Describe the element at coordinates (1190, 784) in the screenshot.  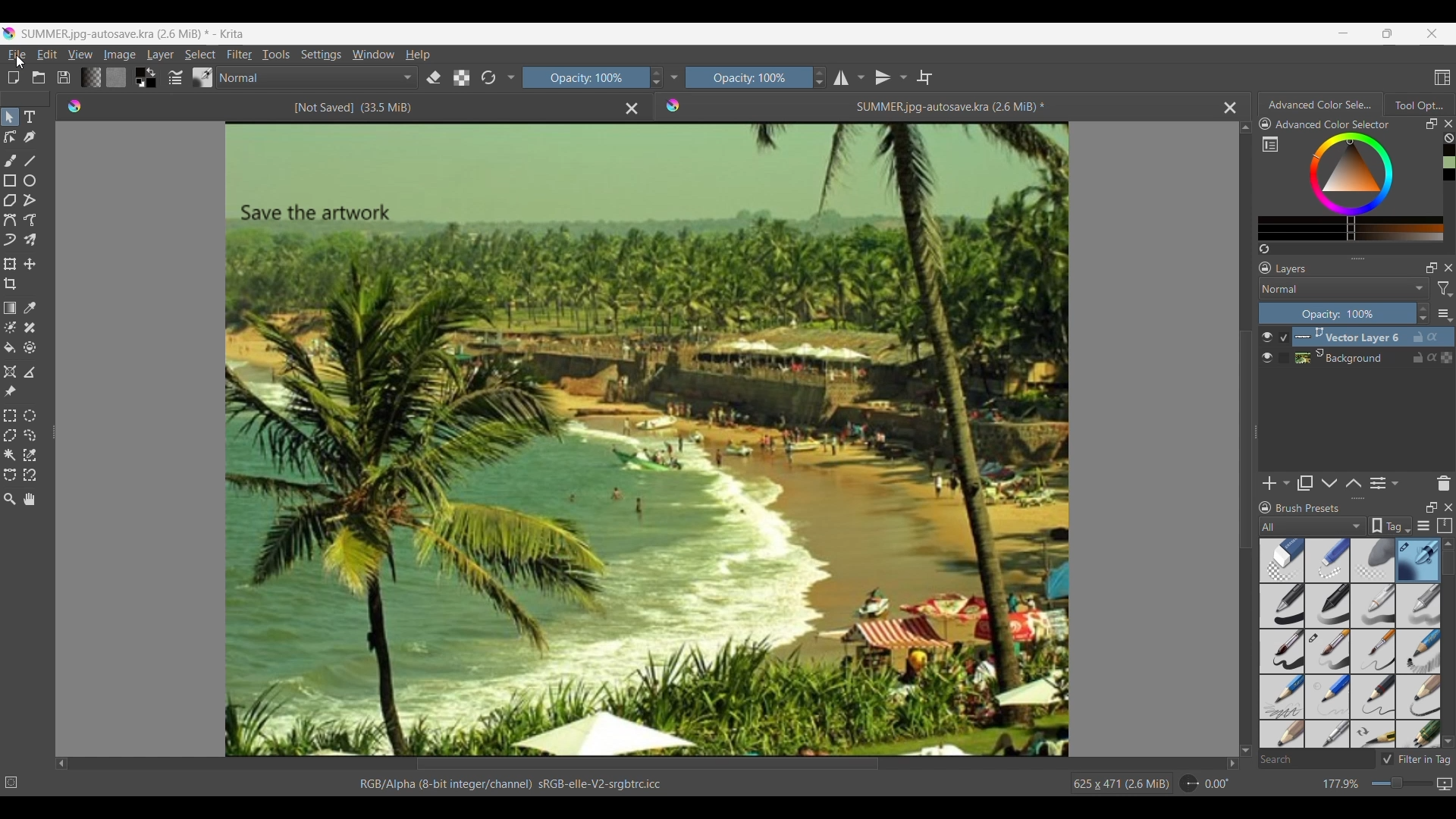
I see `Dial to change rotation` at that location.